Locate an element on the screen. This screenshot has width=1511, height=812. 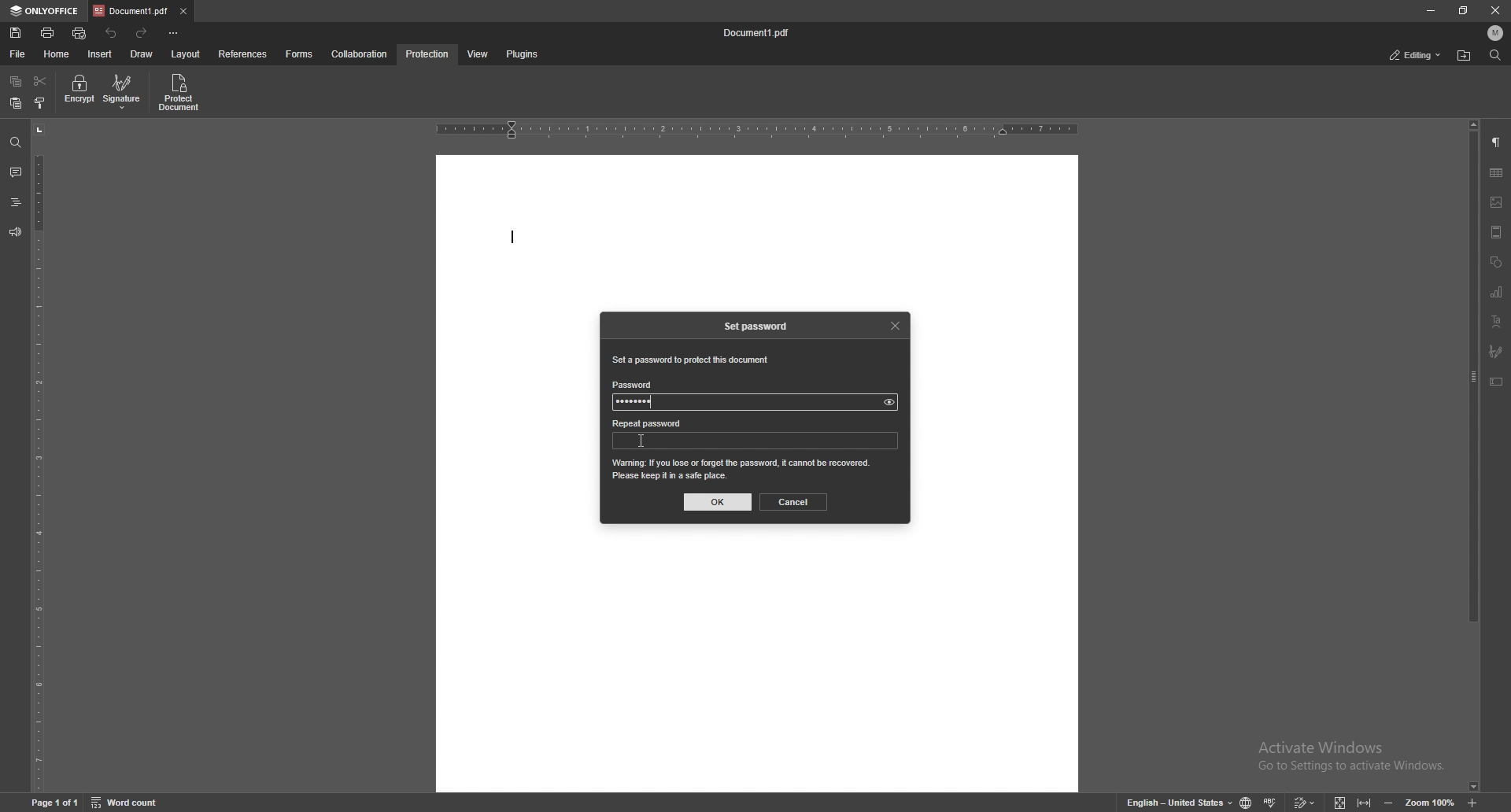
fit to screen is located at coordinates (1340, 802).